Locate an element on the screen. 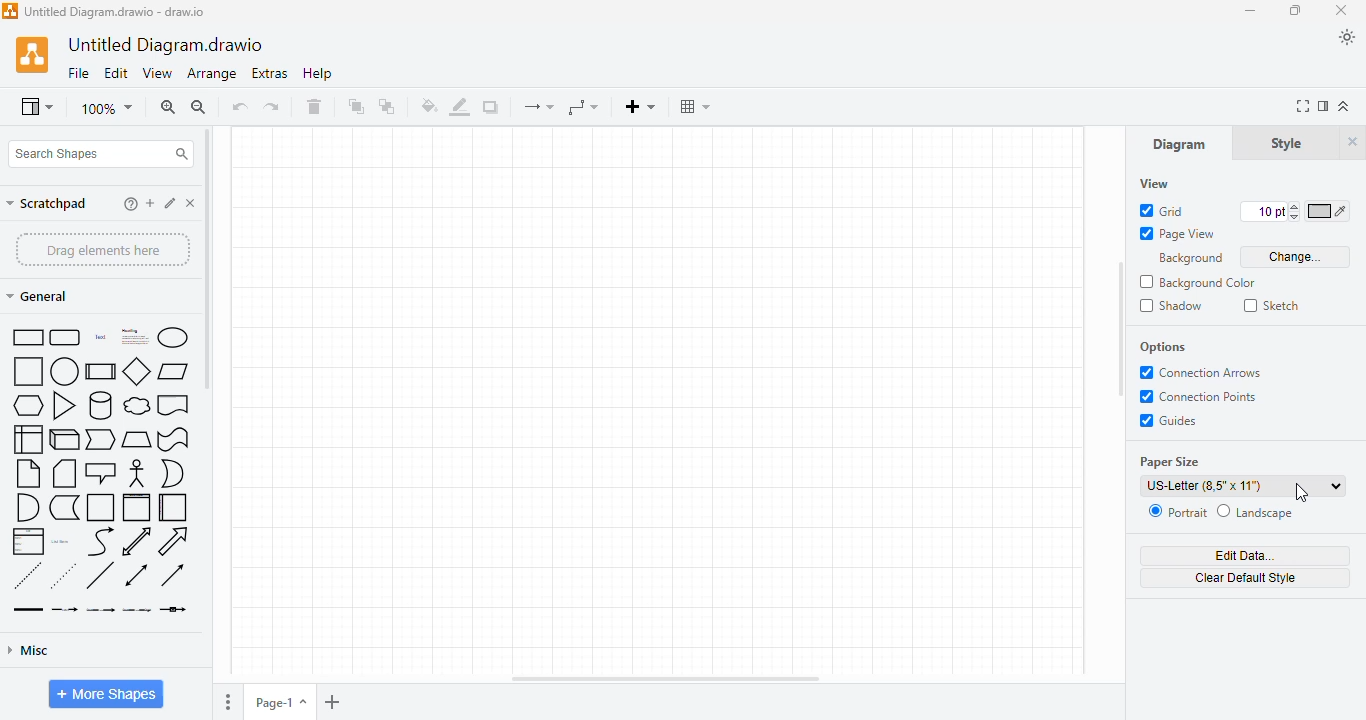 Image resolution: width=1366 pixels, height=720 pixels. trapezoid is located at coordinates (137, 440).